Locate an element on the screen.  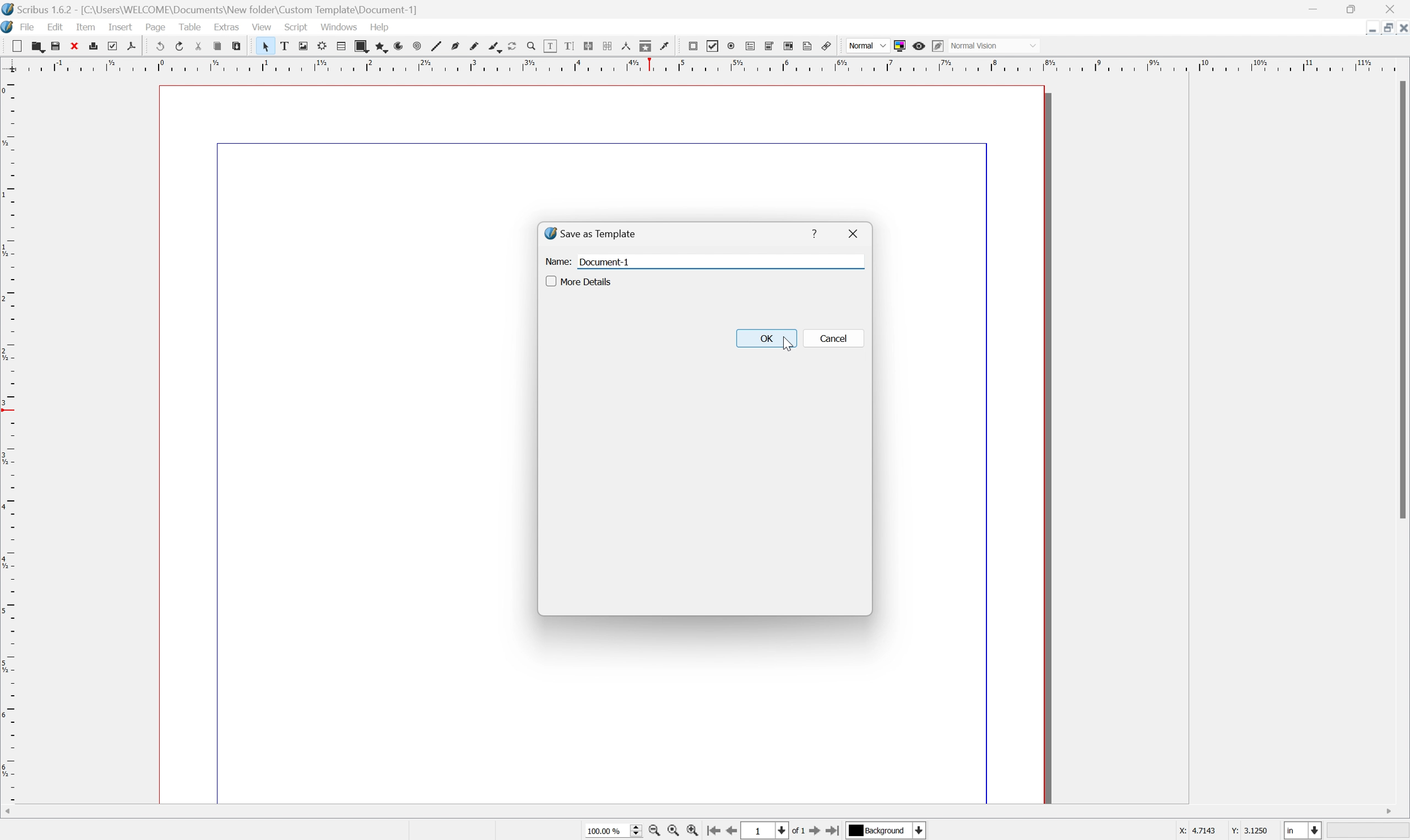
Edit in preview mode is located at coordinates (938, 45).